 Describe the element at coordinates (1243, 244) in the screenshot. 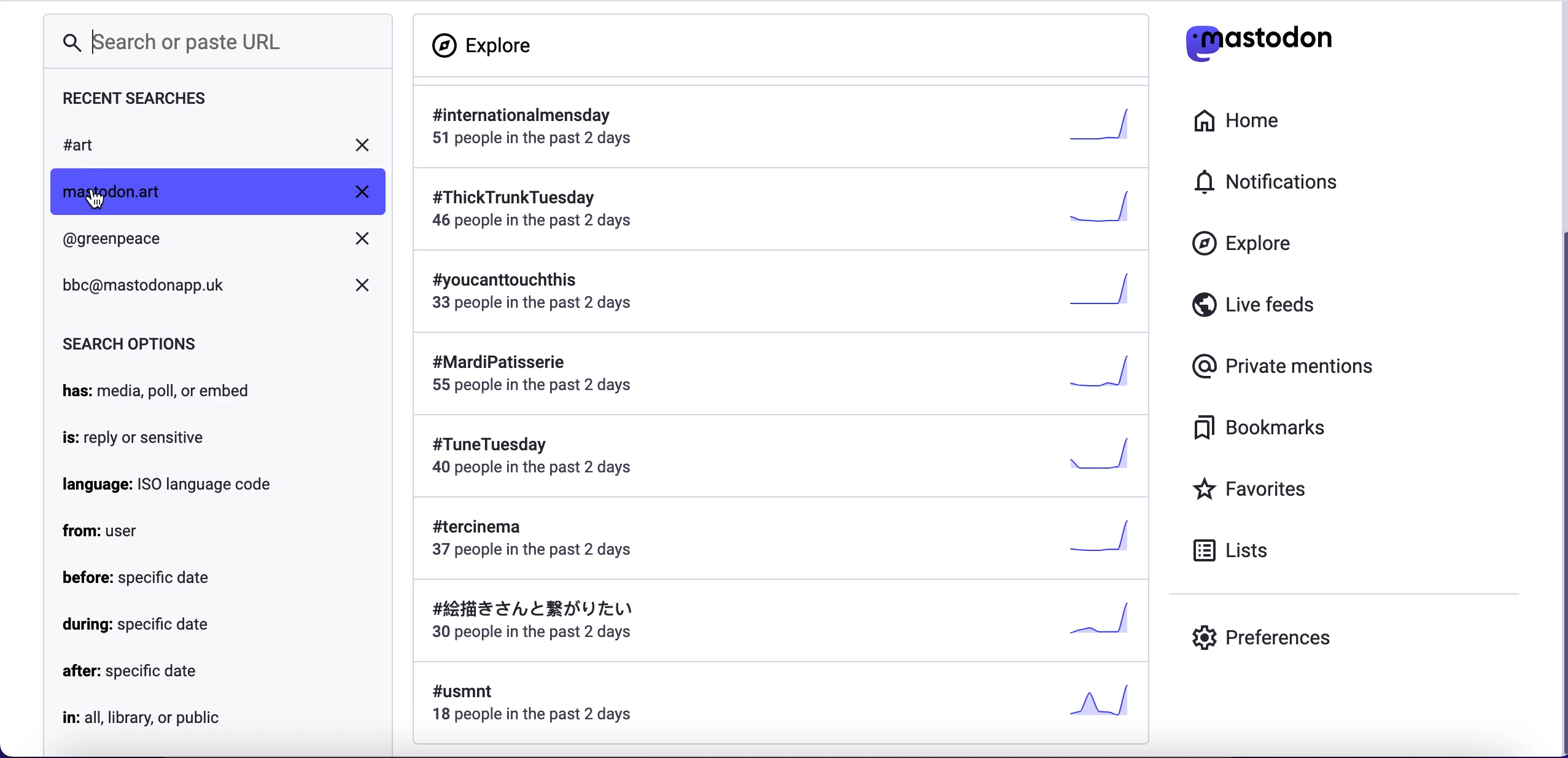

I see `explore` at that location.